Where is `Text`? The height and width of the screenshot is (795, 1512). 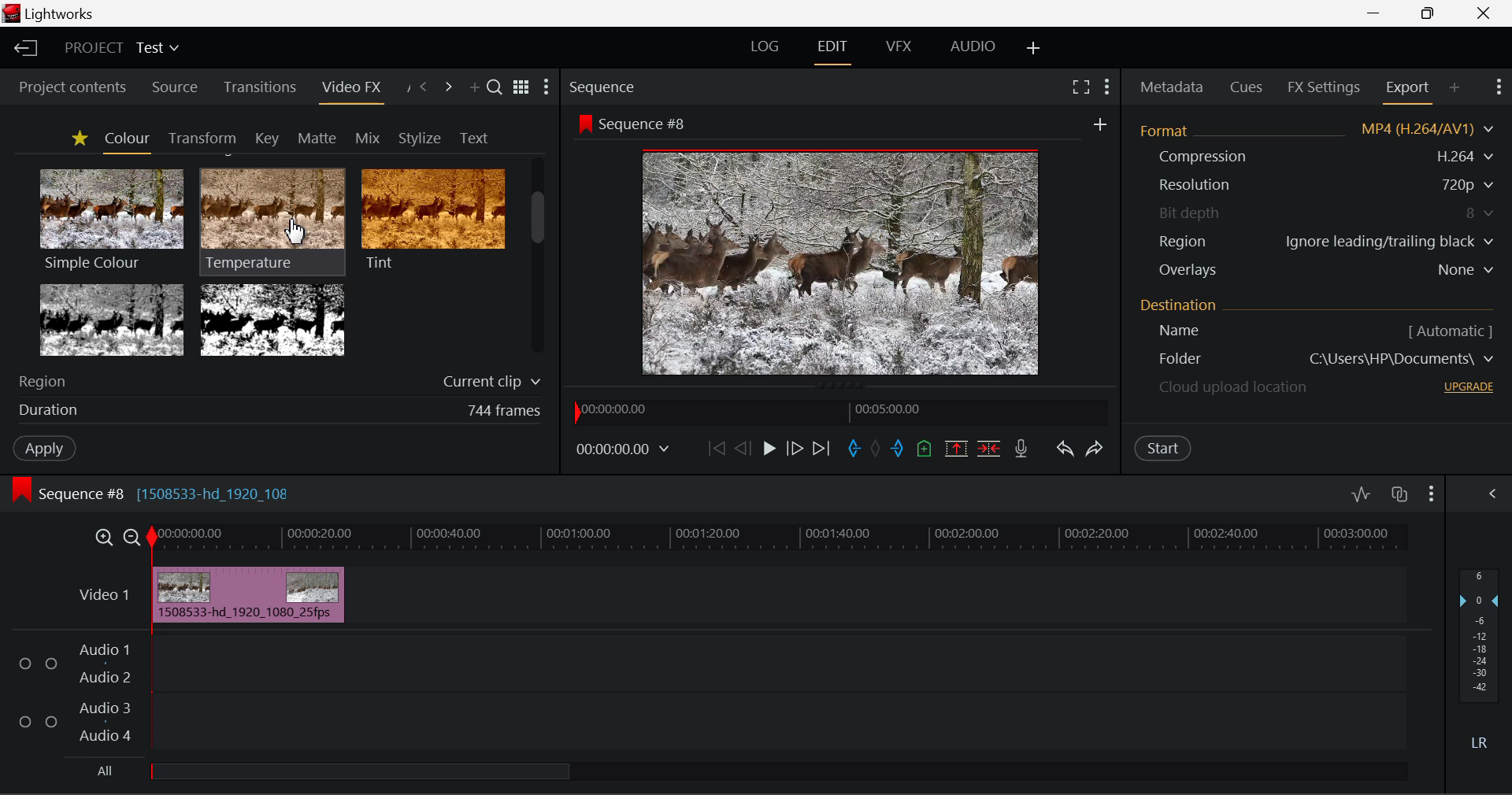
Text is located at coordinates (471, 137).